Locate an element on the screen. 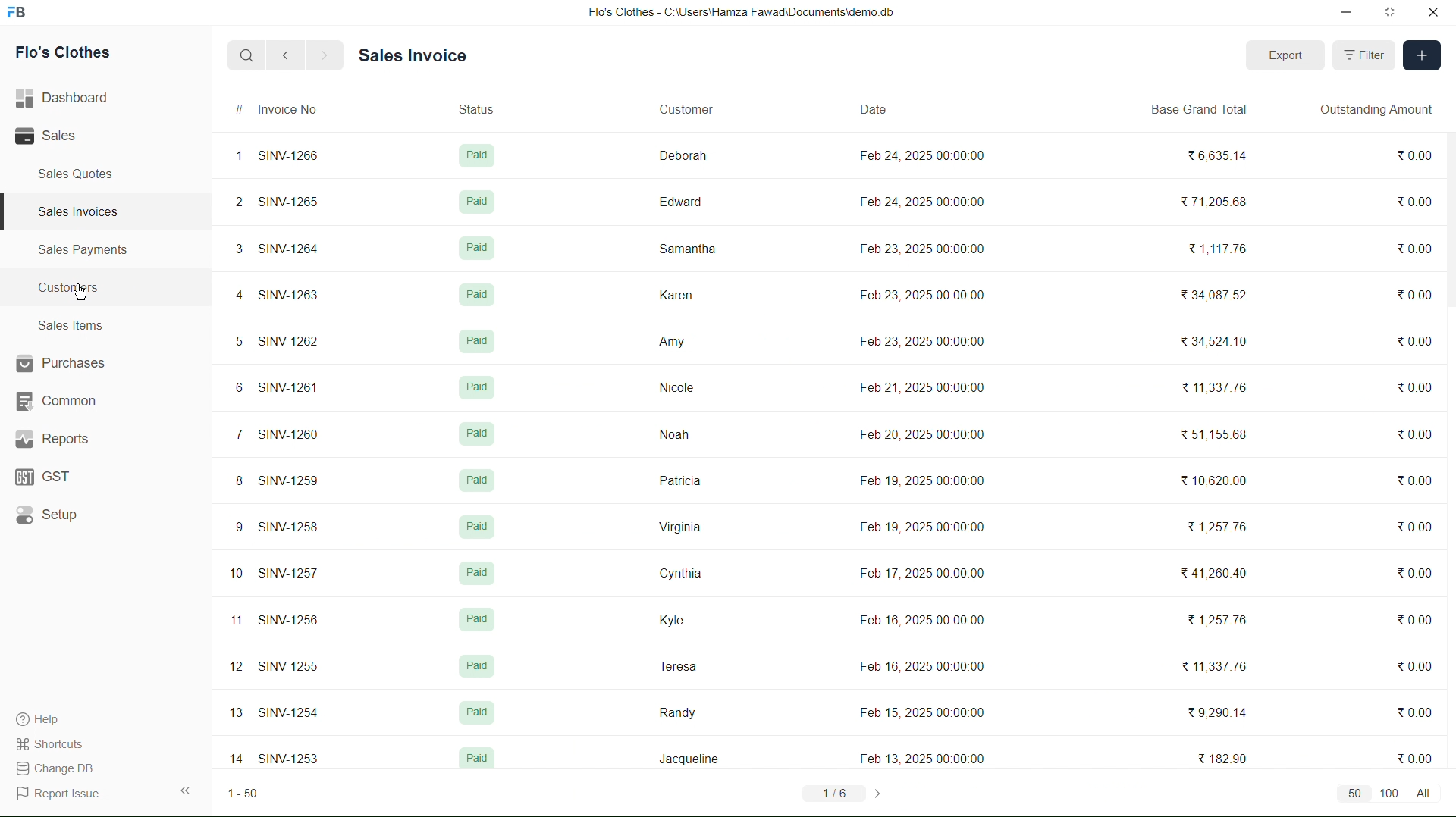  Feb 23, 2025 00:00:00 is located at coordinates (927, 292).